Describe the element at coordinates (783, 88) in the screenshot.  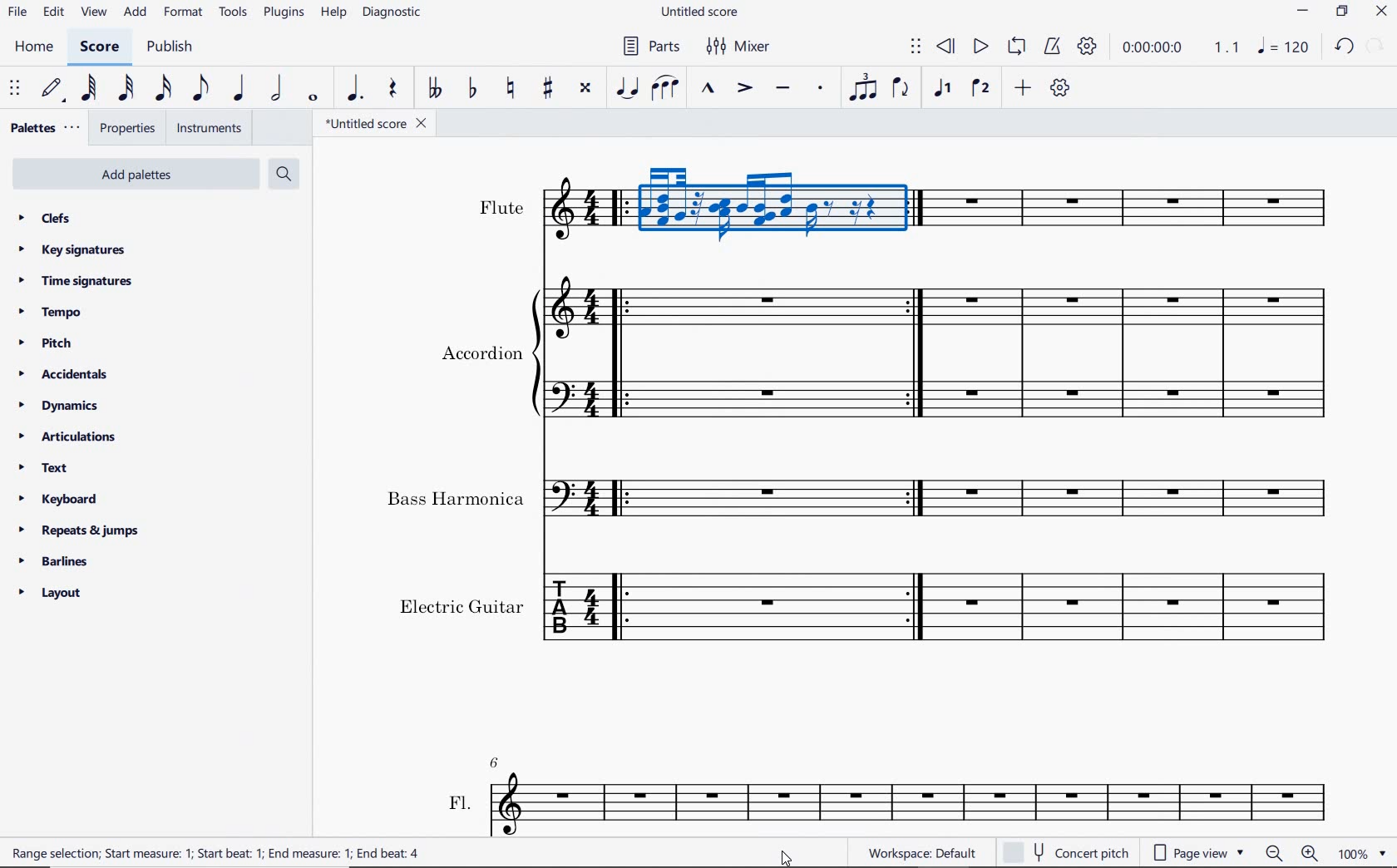
I see `tenuto` at that location.